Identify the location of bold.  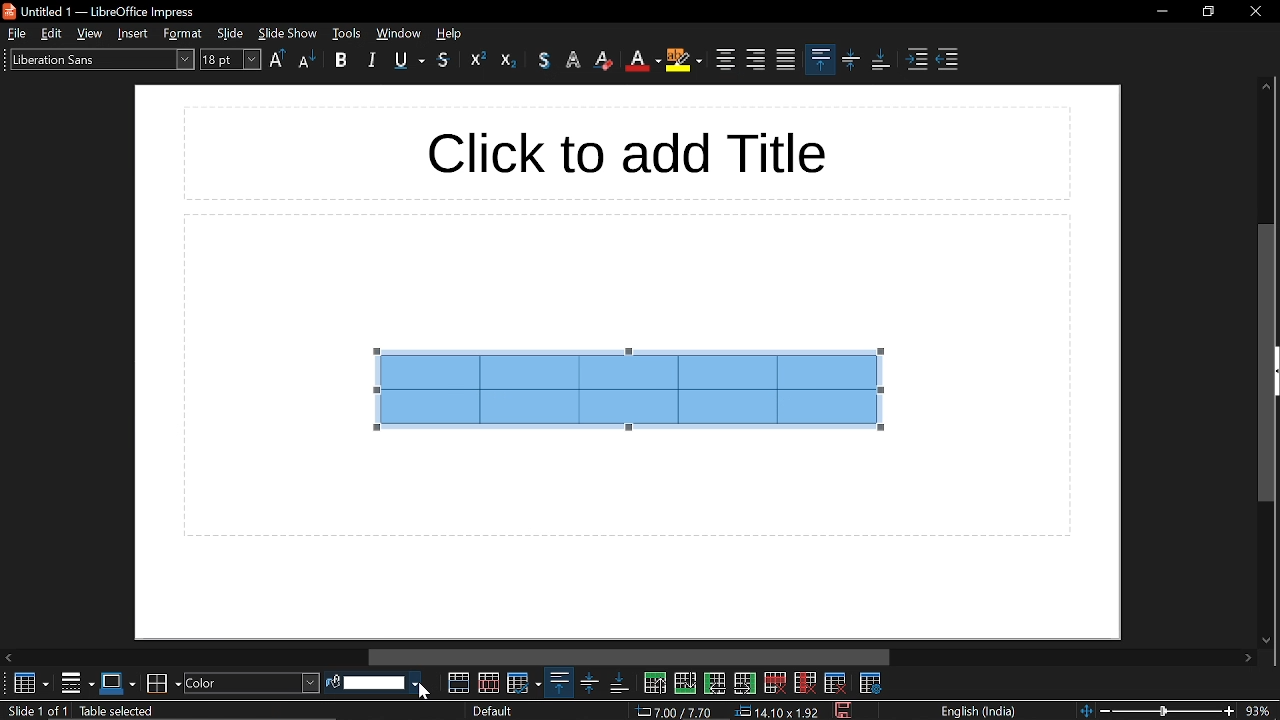
(341, 59).